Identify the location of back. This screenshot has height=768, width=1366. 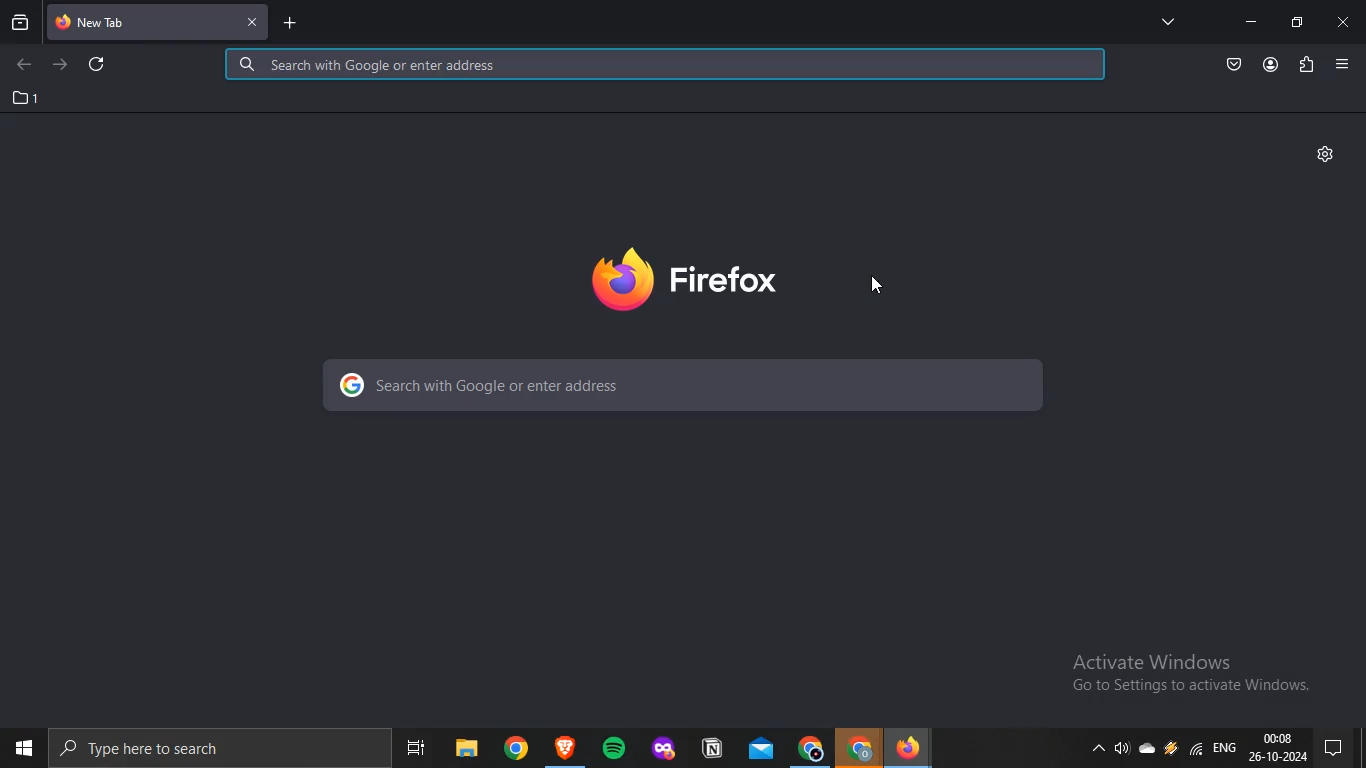
(23, 65).